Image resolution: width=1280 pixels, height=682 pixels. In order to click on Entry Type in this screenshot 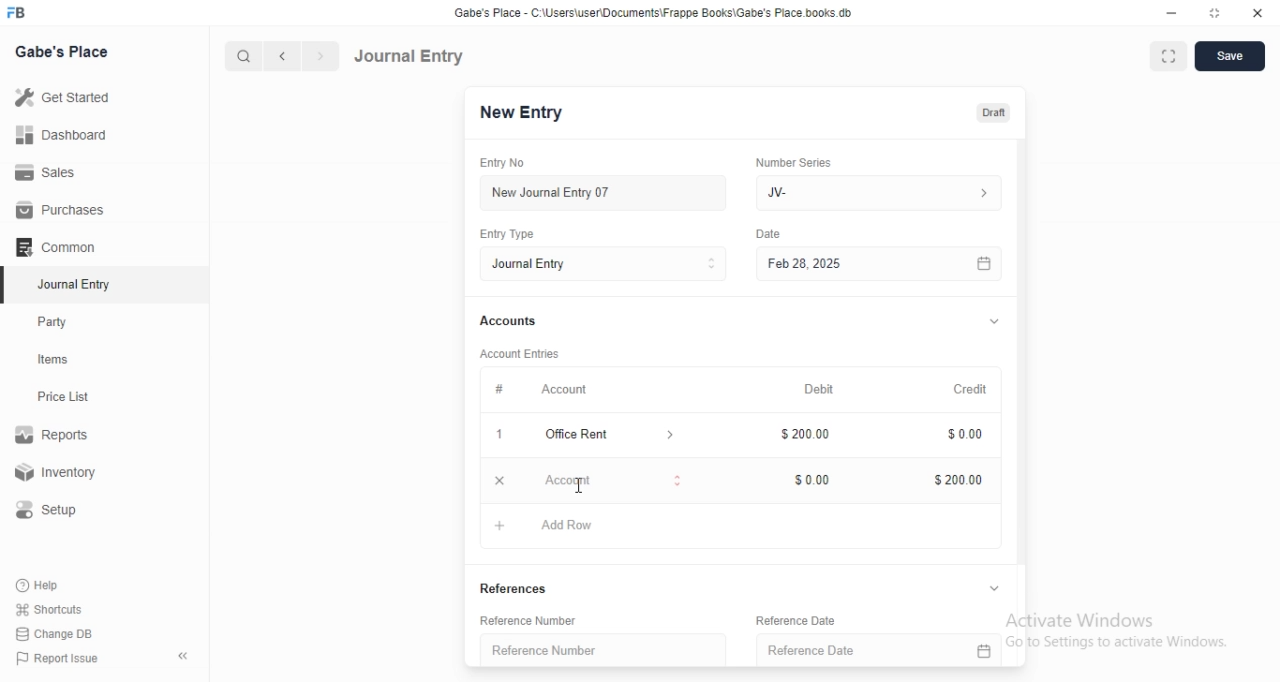, I will do `click(509, 234)`.